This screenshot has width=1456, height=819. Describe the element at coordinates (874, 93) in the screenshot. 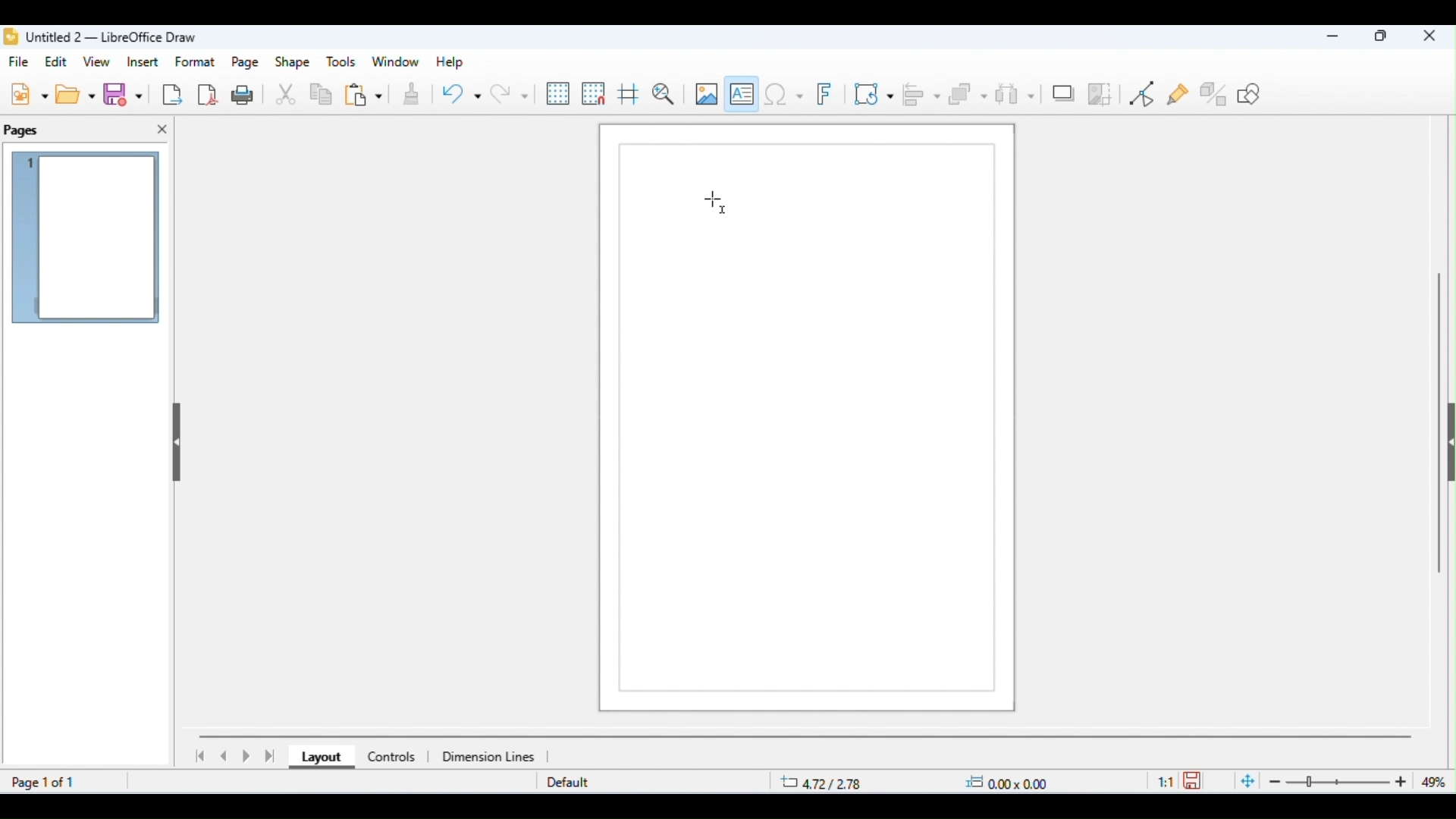

I see `transformations` at that location.